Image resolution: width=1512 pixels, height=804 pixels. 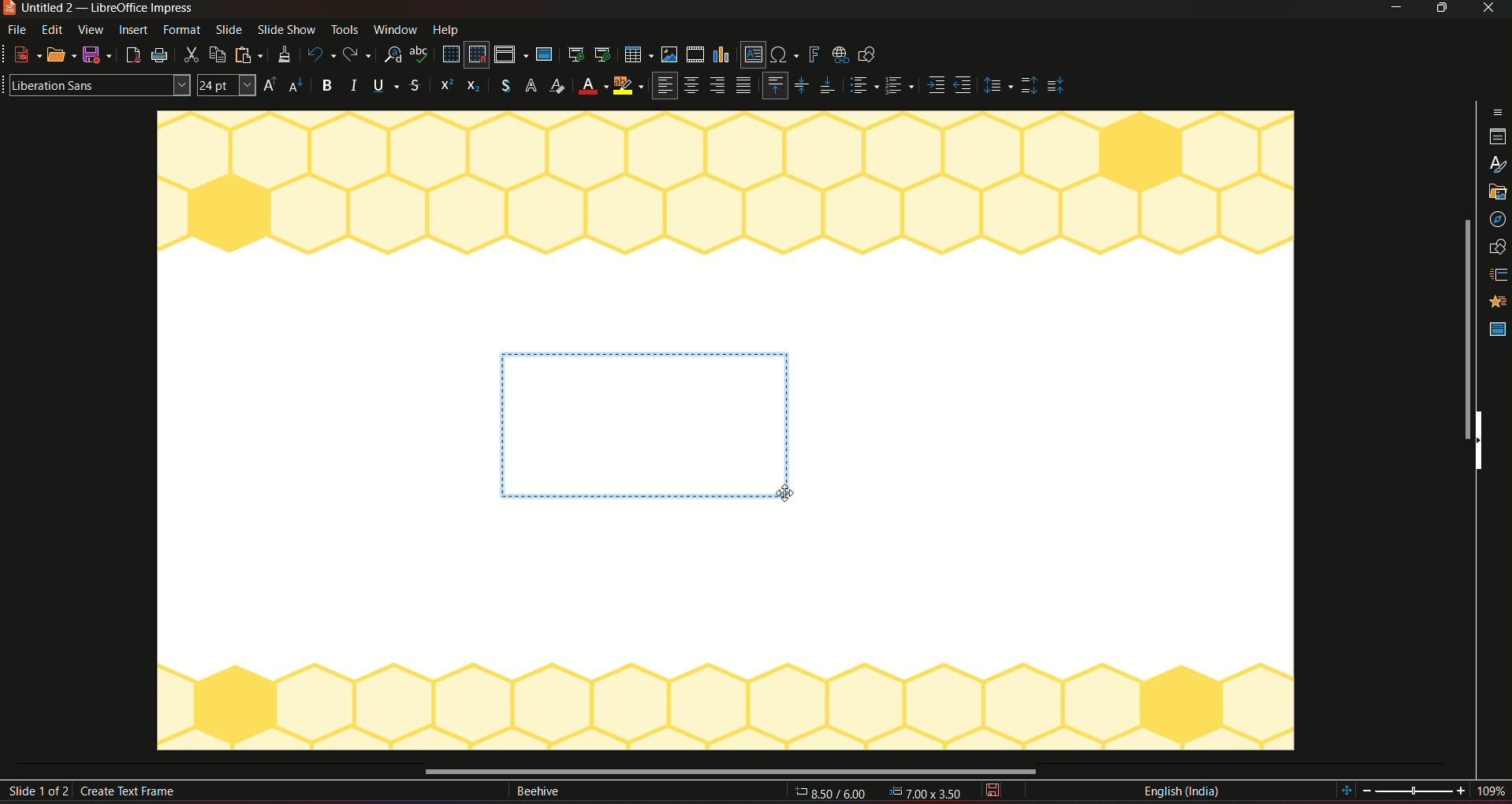 I want to click on create text frame, so click(x=136, y=793).